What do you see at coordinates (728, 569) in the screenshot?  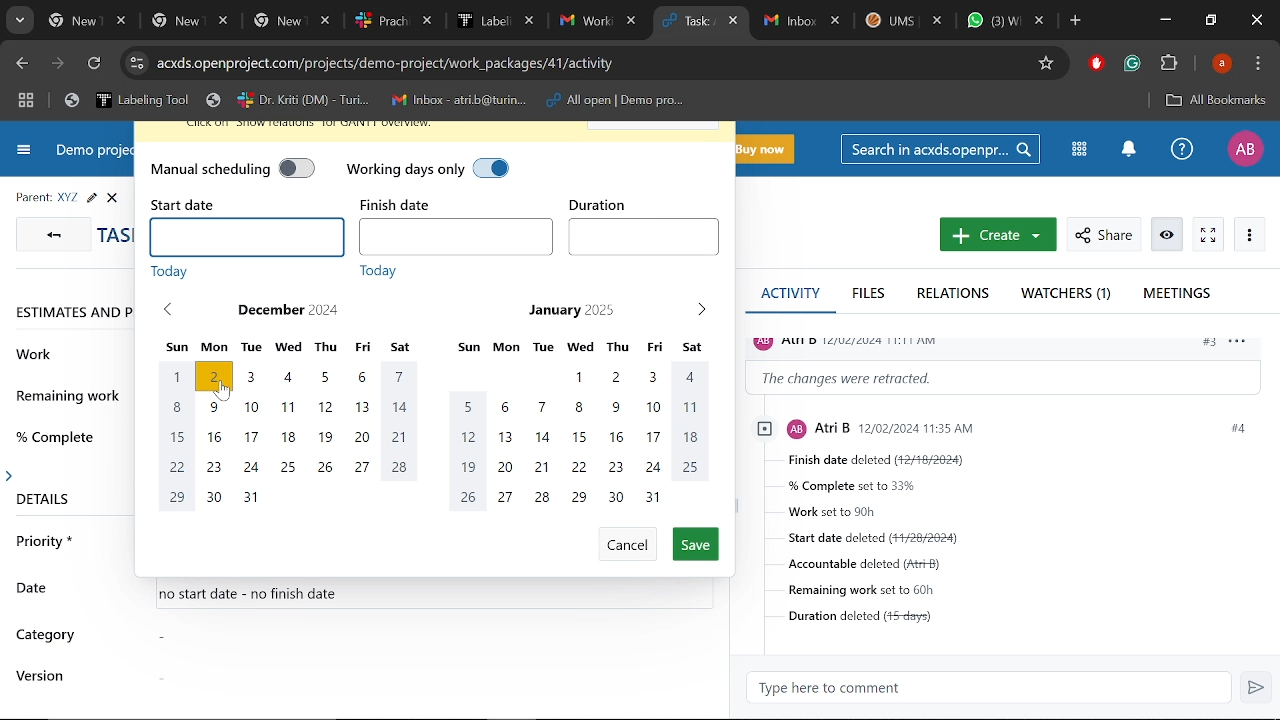 I see `scrollbar` at bounding box center [728, 569].